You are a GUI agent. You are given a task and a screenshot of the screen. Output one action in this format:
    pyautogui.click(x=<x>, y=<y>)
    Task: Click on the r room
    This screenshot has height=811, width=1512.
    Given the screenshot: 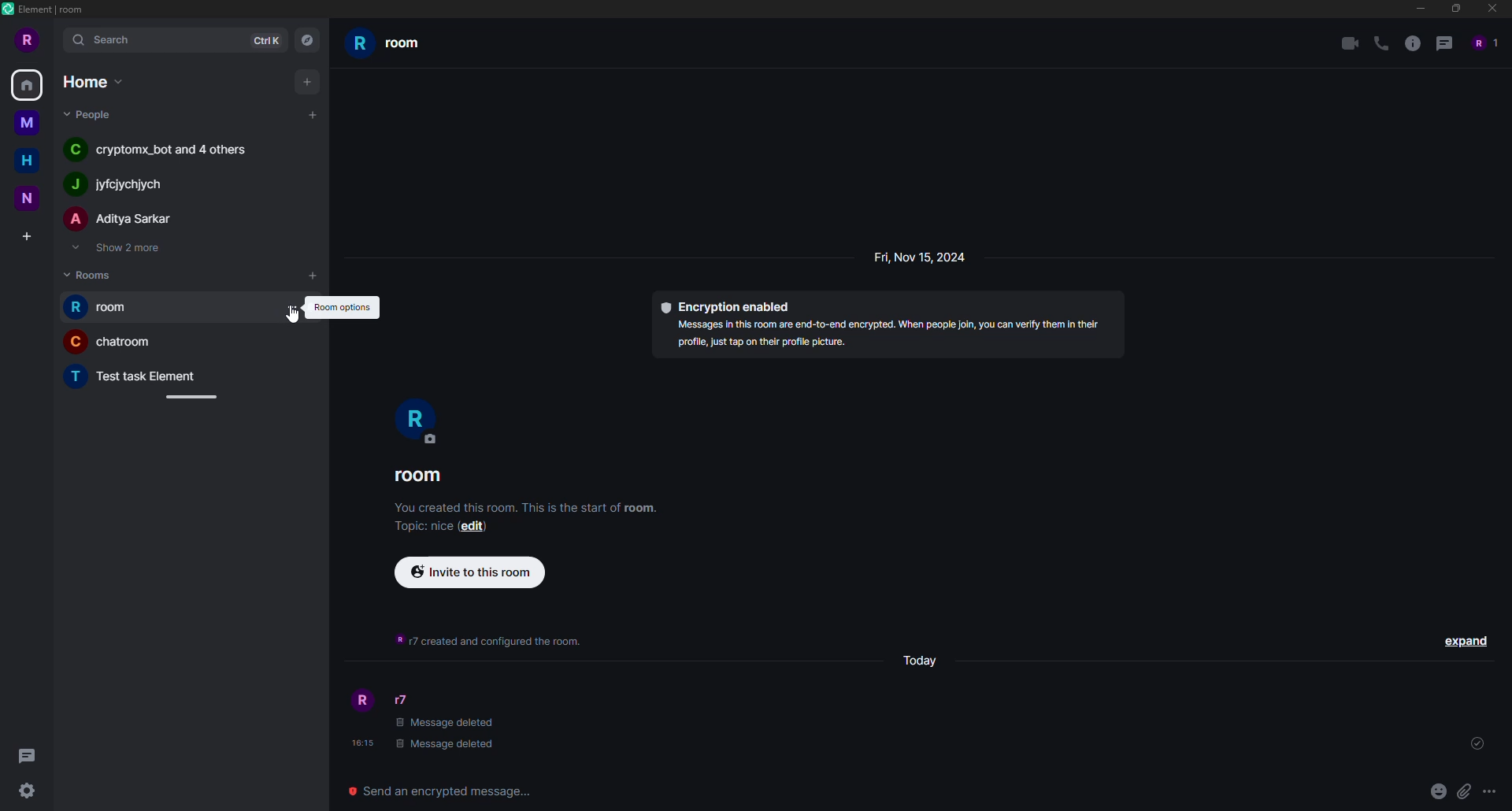 What is the action you would take?
    pyautogui.click(x=405, y=46)
    